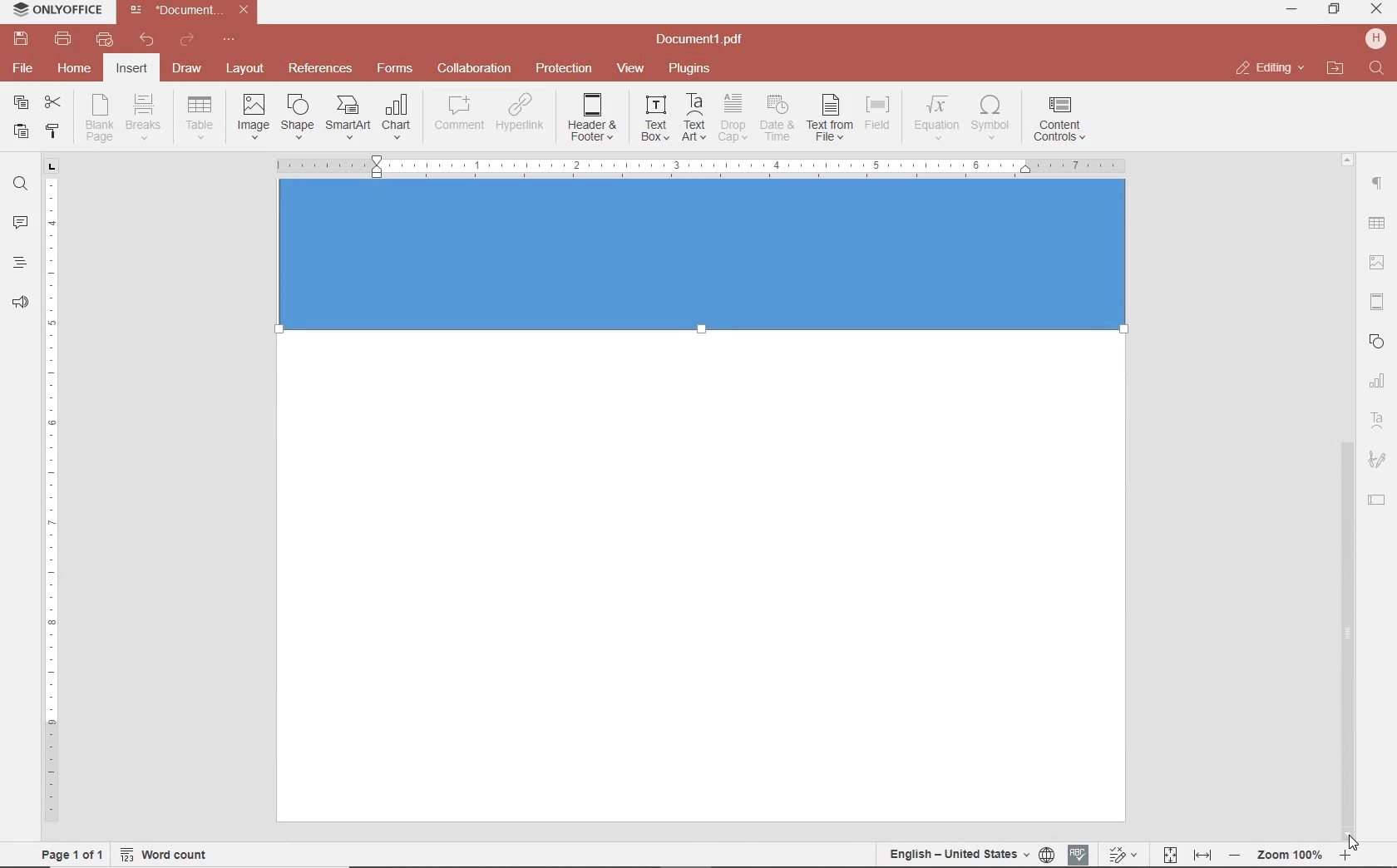 This screenshot has height=868, width=1397. What do you see at coordinates (1378, 382) in the screenshot?
I see `CHART` at bounding box center [1378, 382].